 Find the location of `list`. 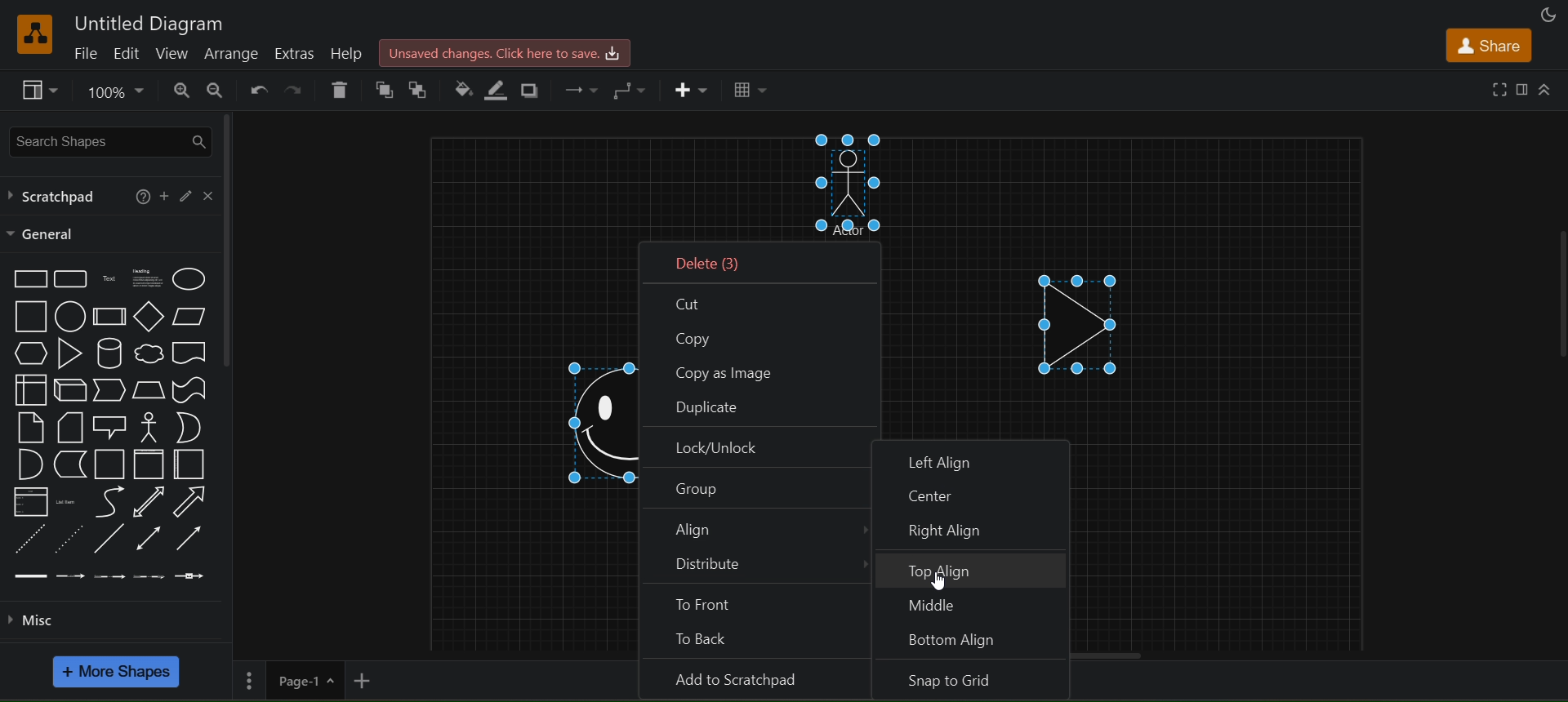

list is located at coordinates (28, 502).